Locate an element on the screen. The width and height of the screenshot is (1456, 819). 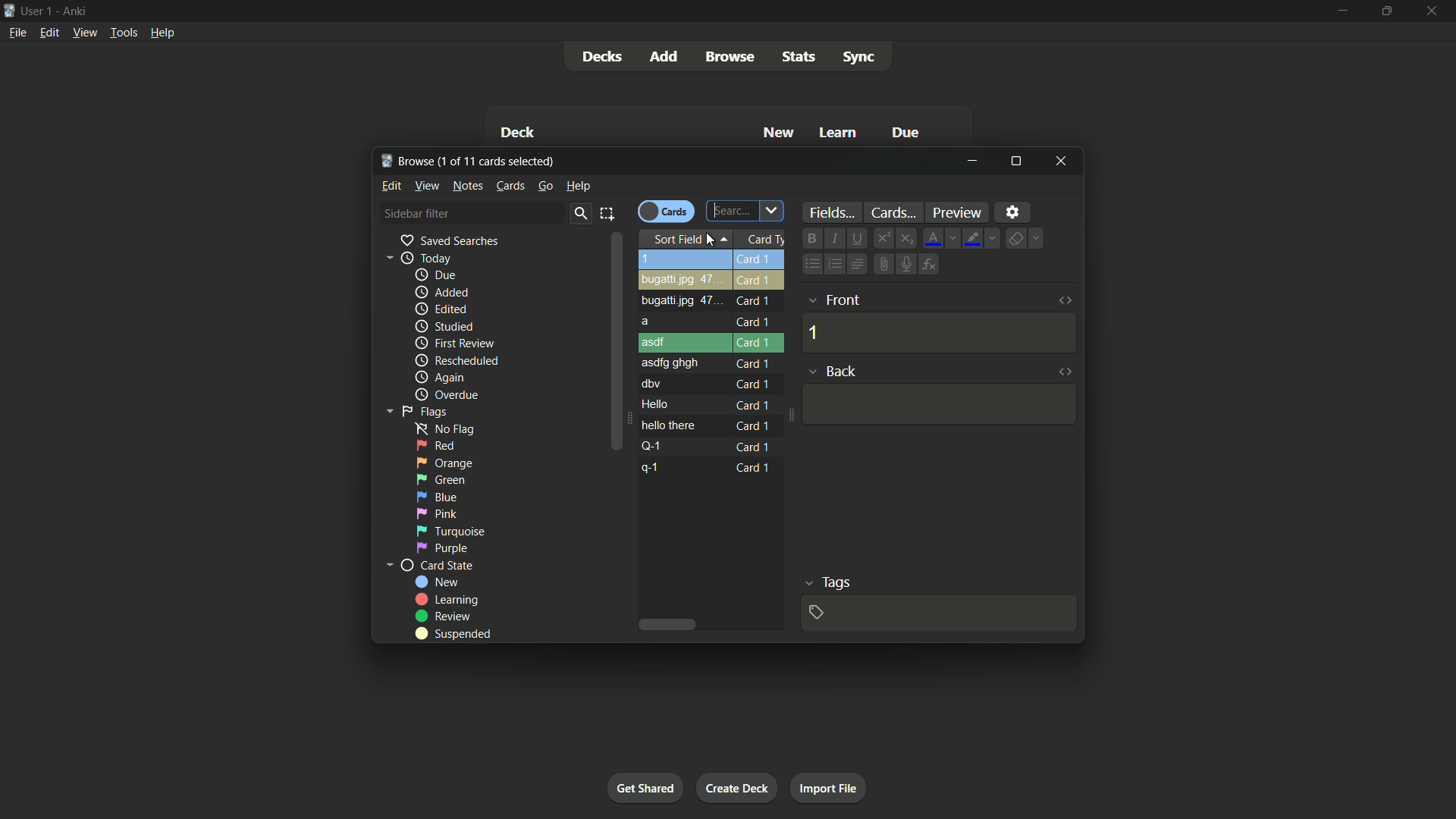
orange is located at coordinates (445, 462).